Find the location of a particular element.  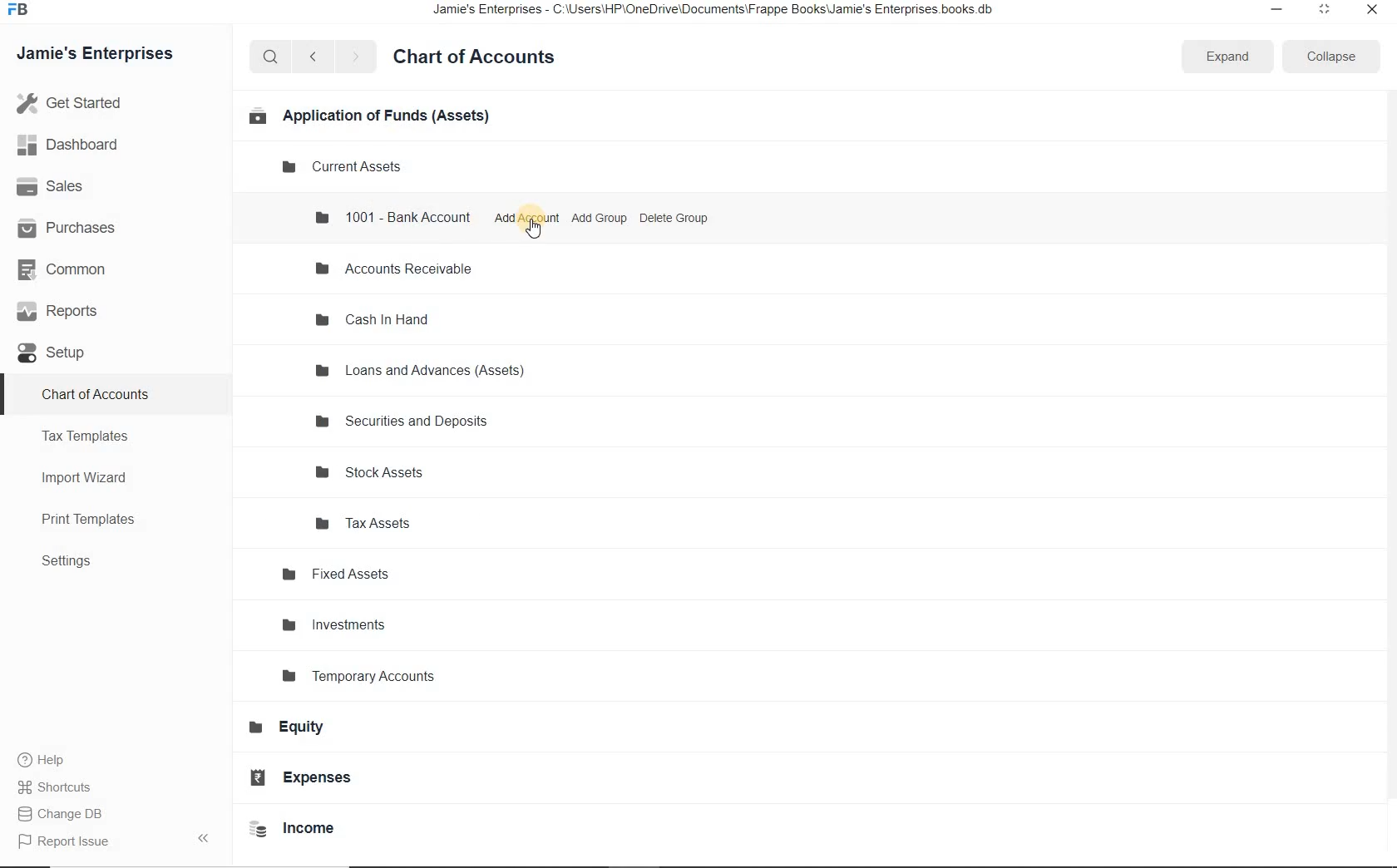

Stock Assets is located at coordinates (378, 472).